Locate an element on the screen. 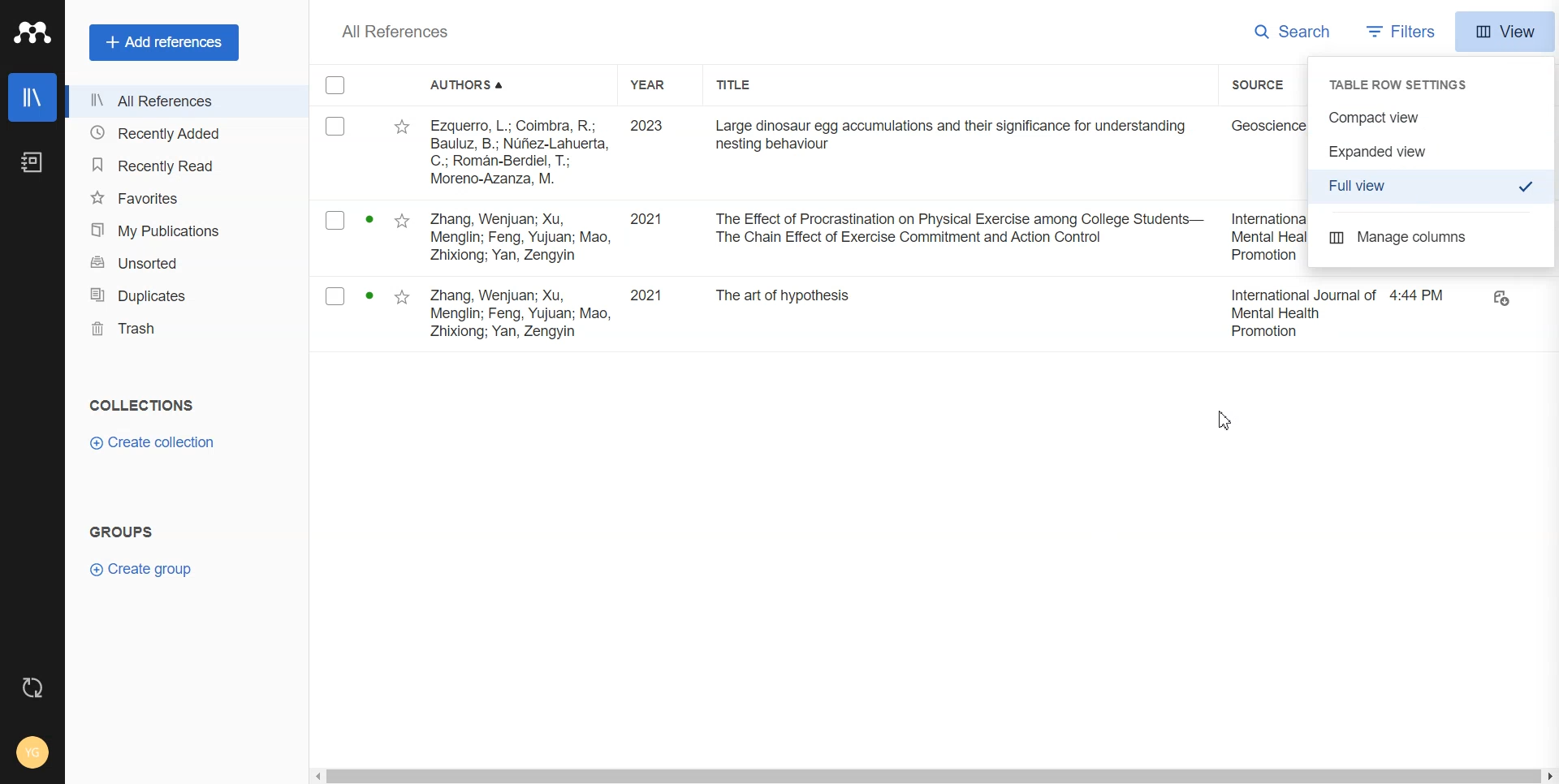  Duplicates is located at coordinates (174, 295).